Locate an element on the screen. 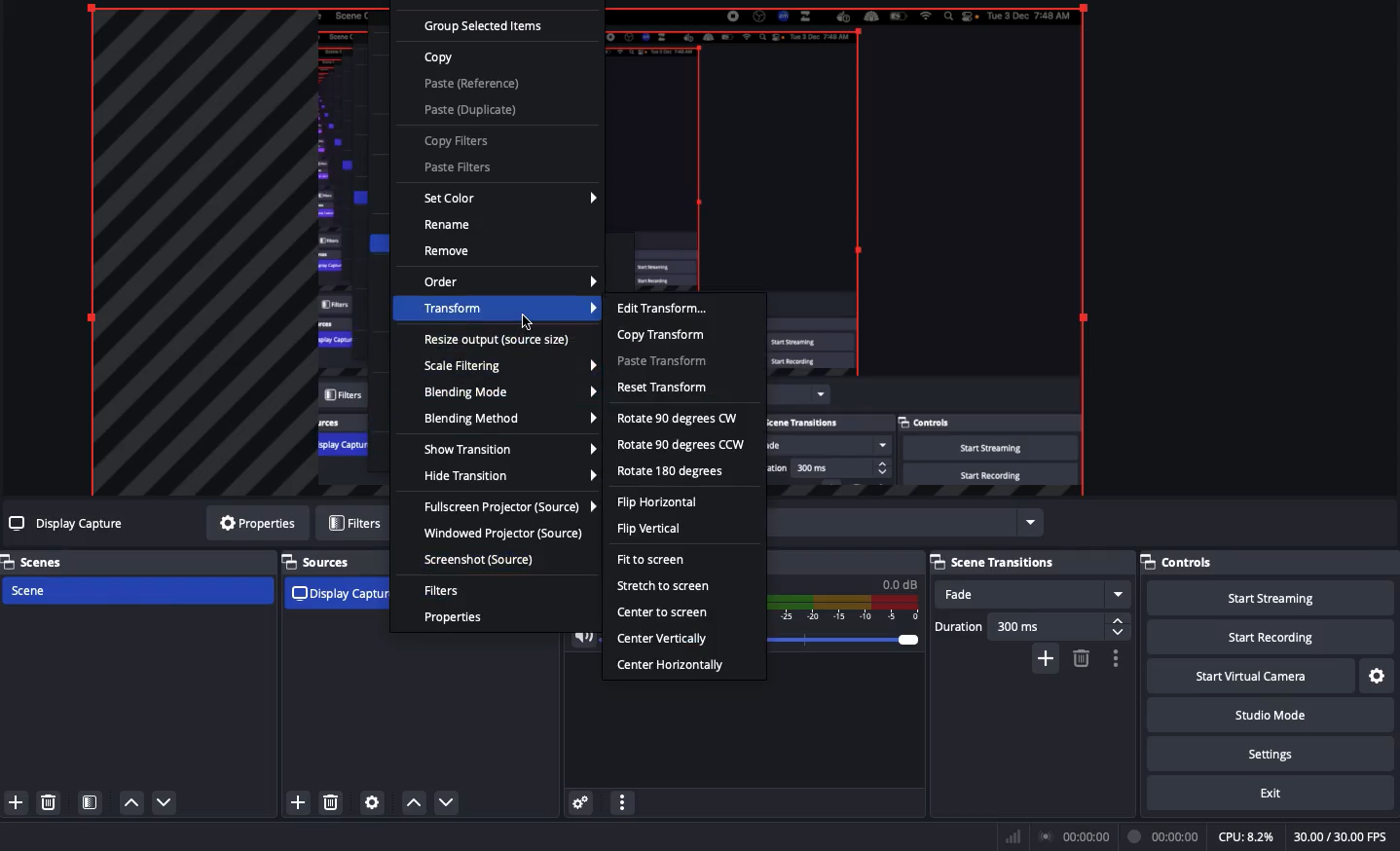 This screenshot has width=1400, height=851. Remove is located at coordinates (455, 251).